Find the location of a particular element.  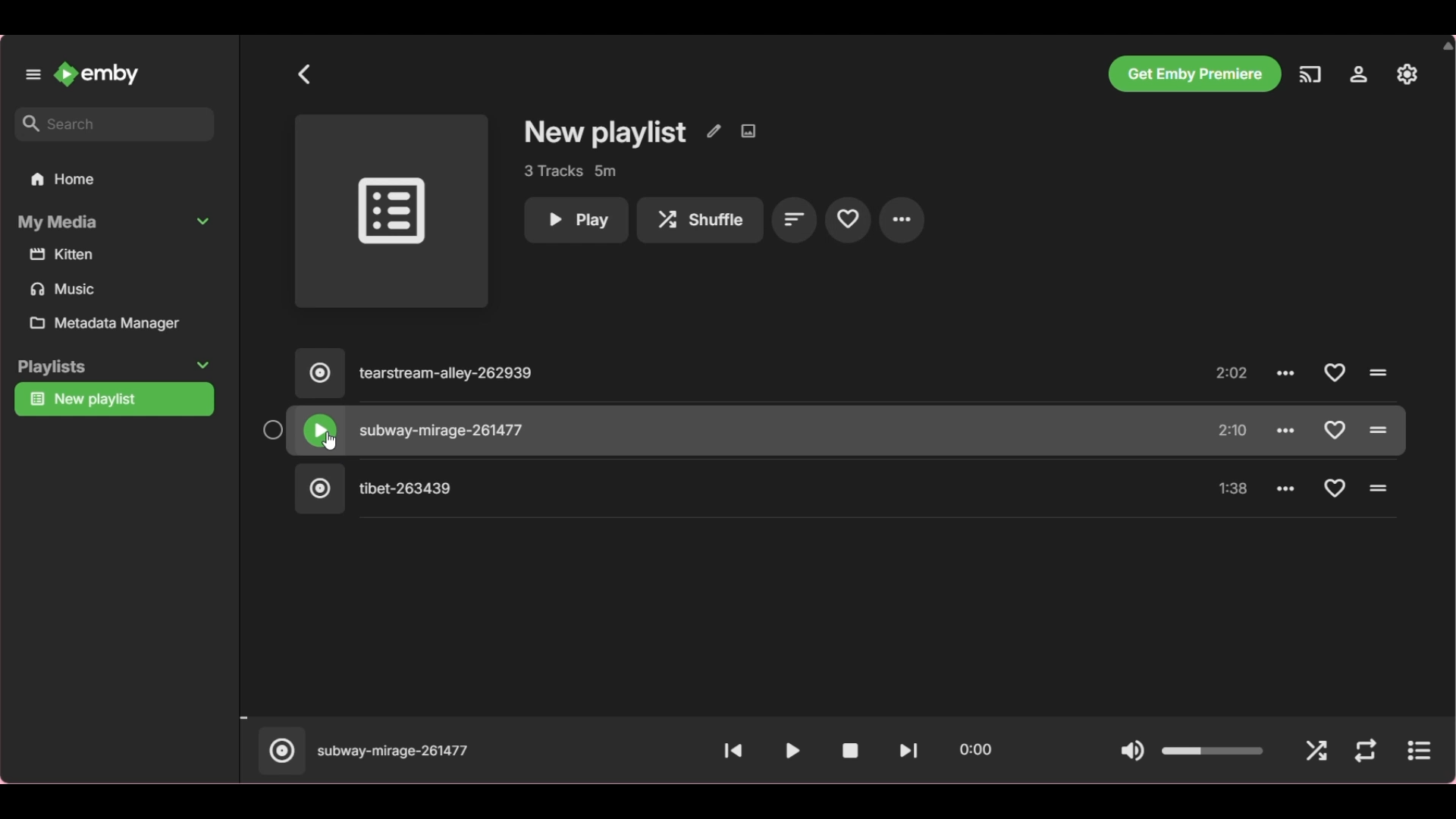

Go to home is located at coordinates (96, 74).